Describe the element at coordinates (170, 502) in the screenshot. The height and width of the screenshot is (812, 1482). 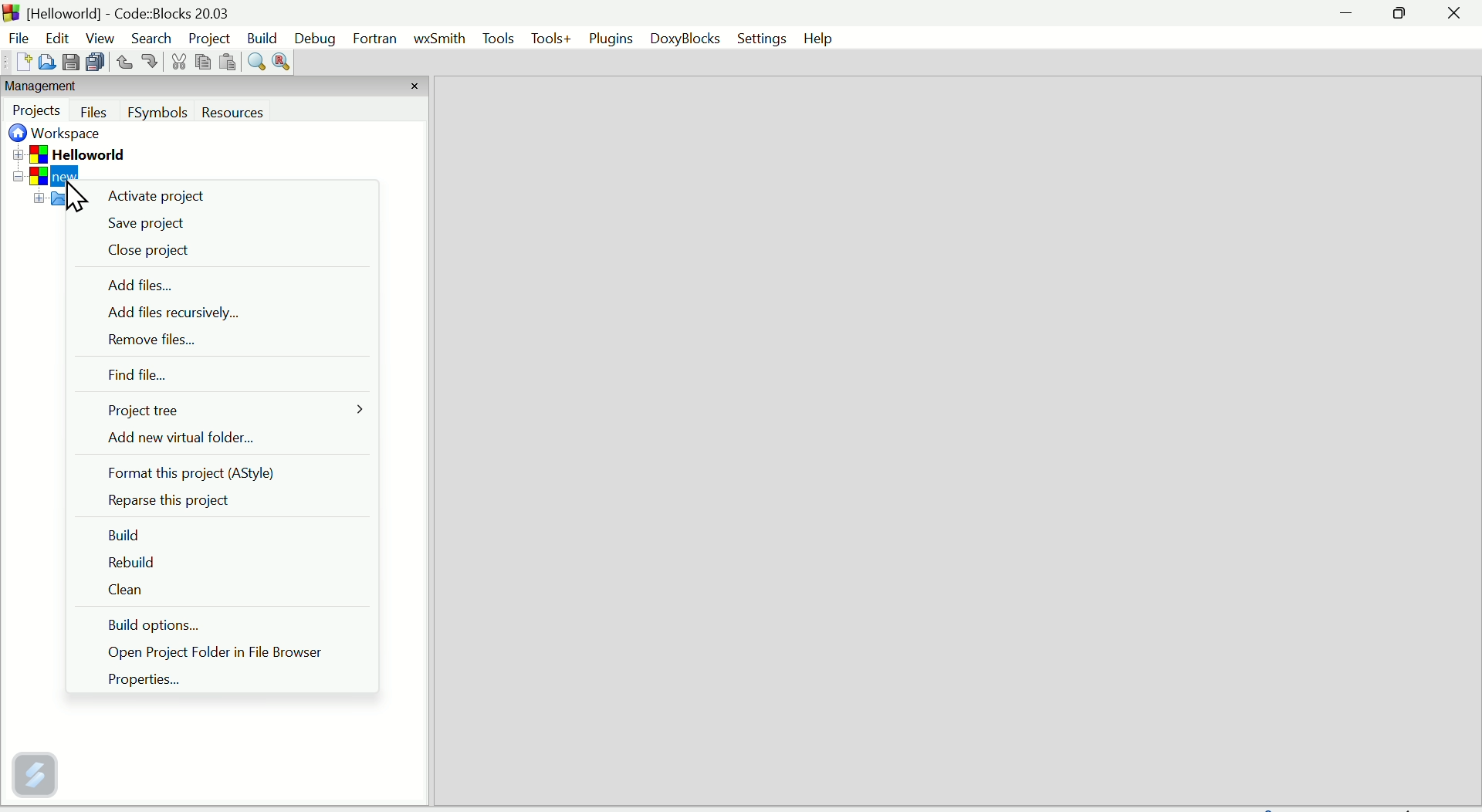
I see `Repars this project` at that location.